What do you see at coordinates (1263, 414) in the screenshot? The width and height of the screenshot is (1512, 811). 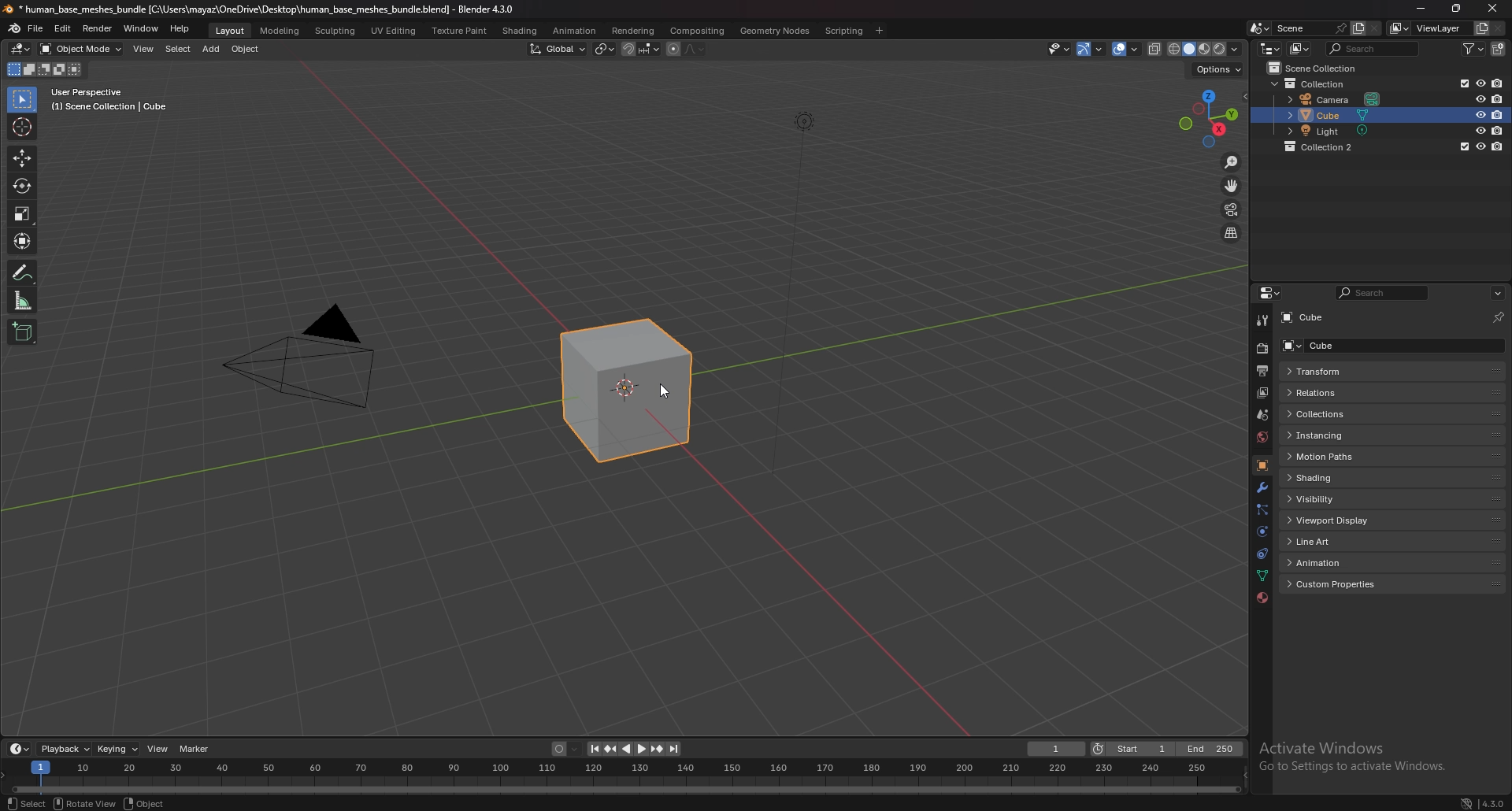 I see `scene` at bounding box center [1263, 414].